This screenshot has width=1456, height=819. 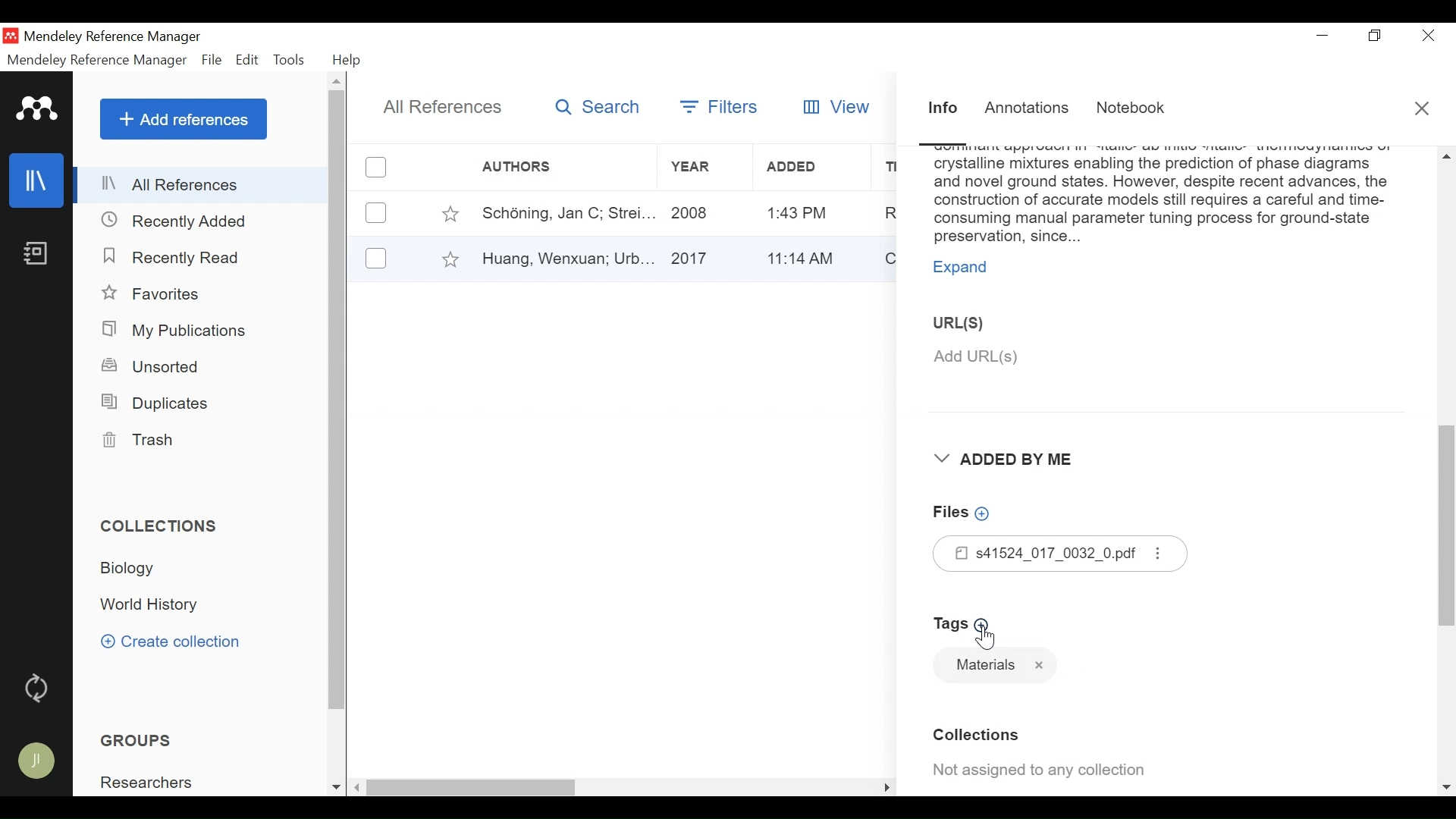 What do you see at coordinates (984, 636) in the screenshot?
I see `Cursor` at bounding box center [984, 636].